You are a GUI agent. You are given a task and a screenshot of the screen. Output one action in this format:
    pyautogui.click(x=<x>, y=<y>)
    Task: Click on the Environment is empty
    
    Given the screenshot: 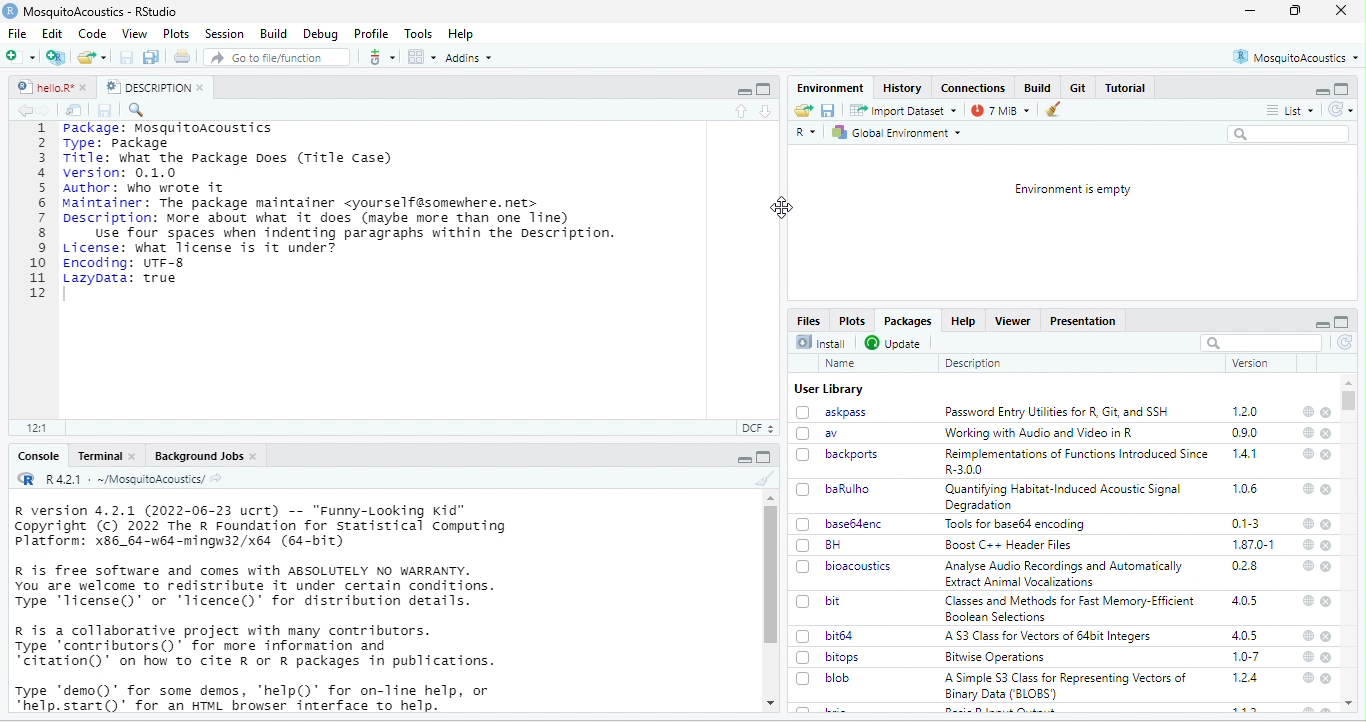 What is the action you would take?
    pyautogui.click(x=1072, y=189)
    